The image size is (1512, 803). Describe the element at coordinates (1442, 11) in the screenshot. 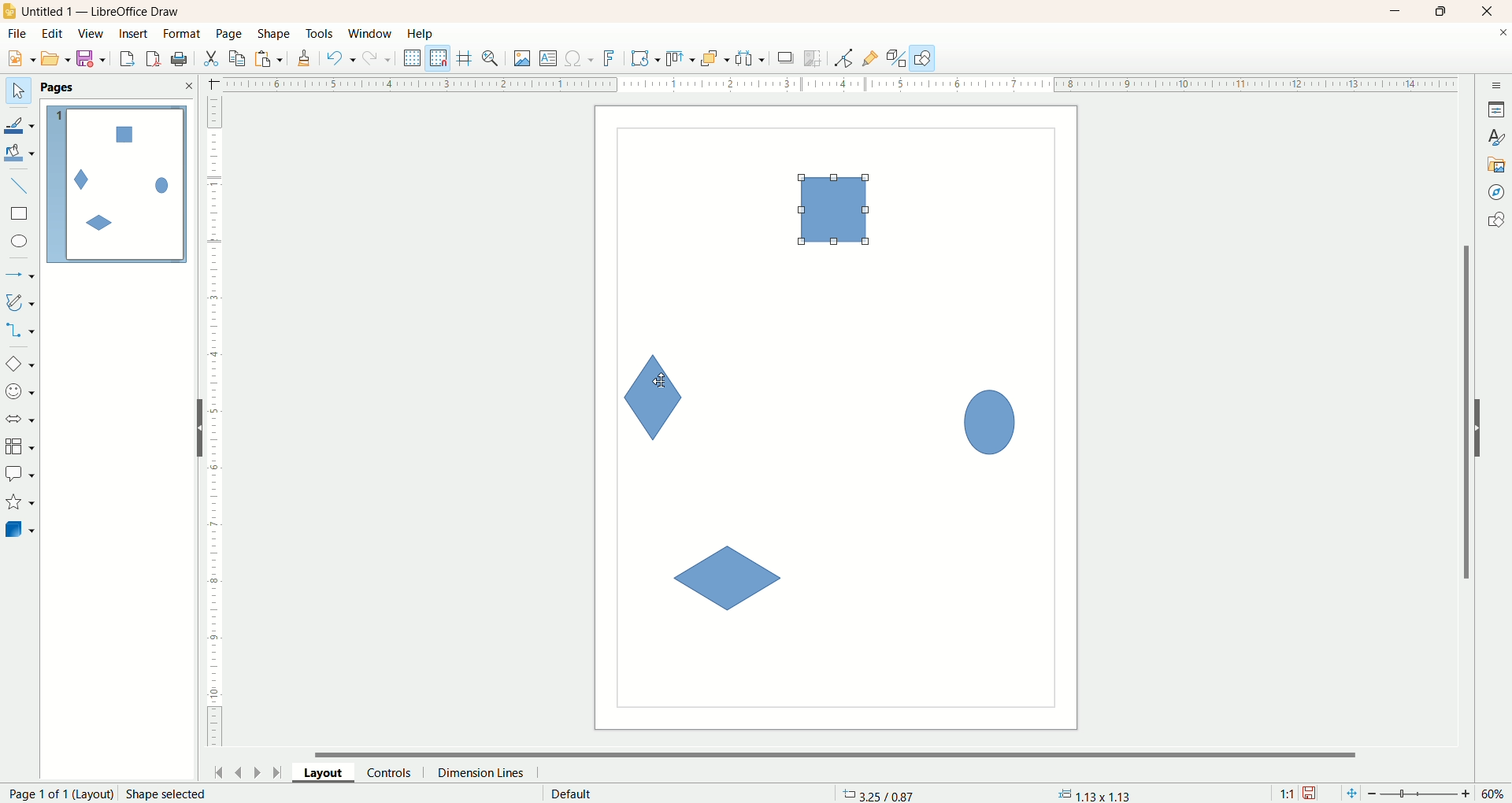

I see `maximize` at that location.